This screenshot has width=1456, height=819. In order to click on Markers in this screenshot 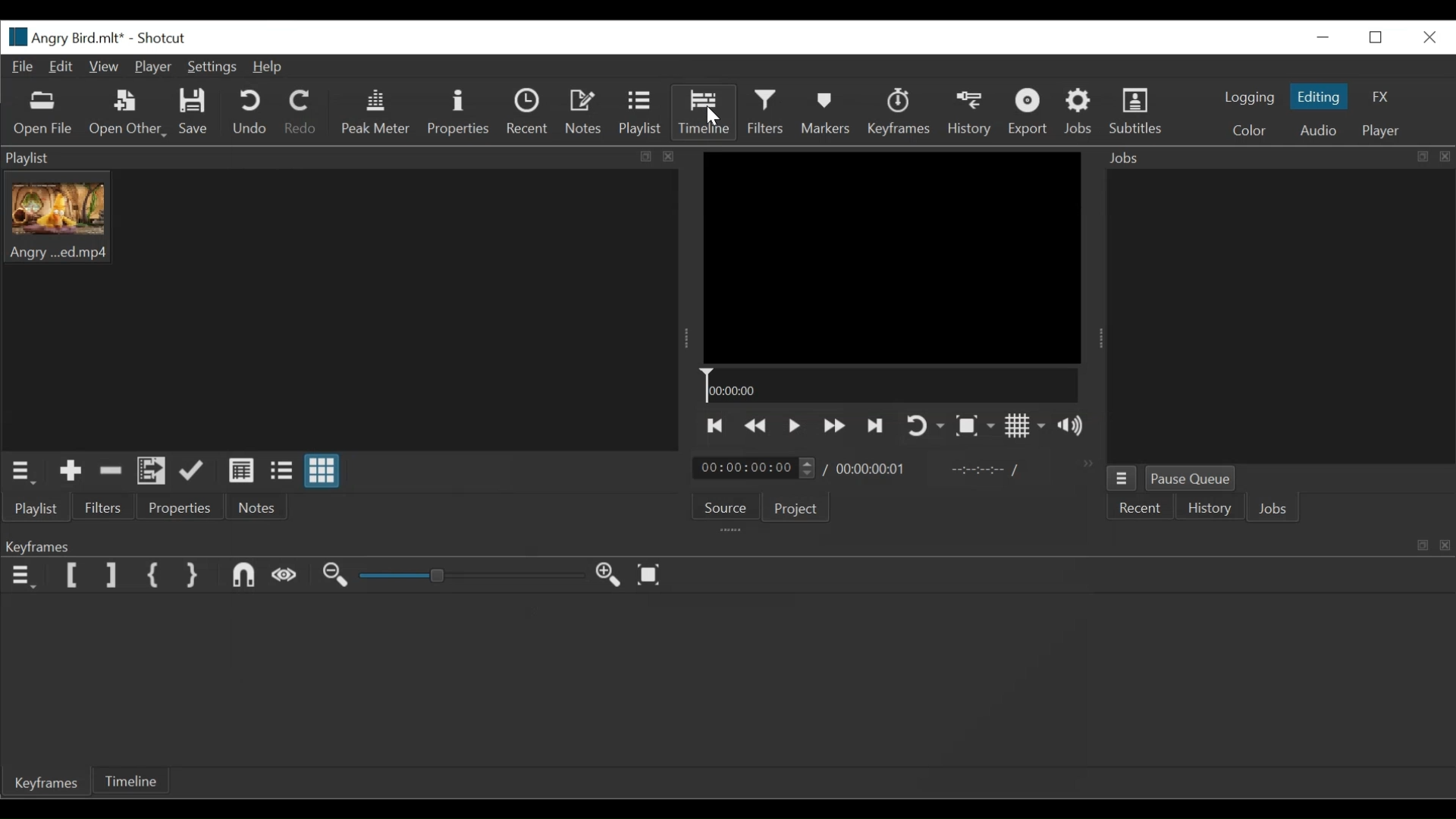, I will do `click(827, 112)`.